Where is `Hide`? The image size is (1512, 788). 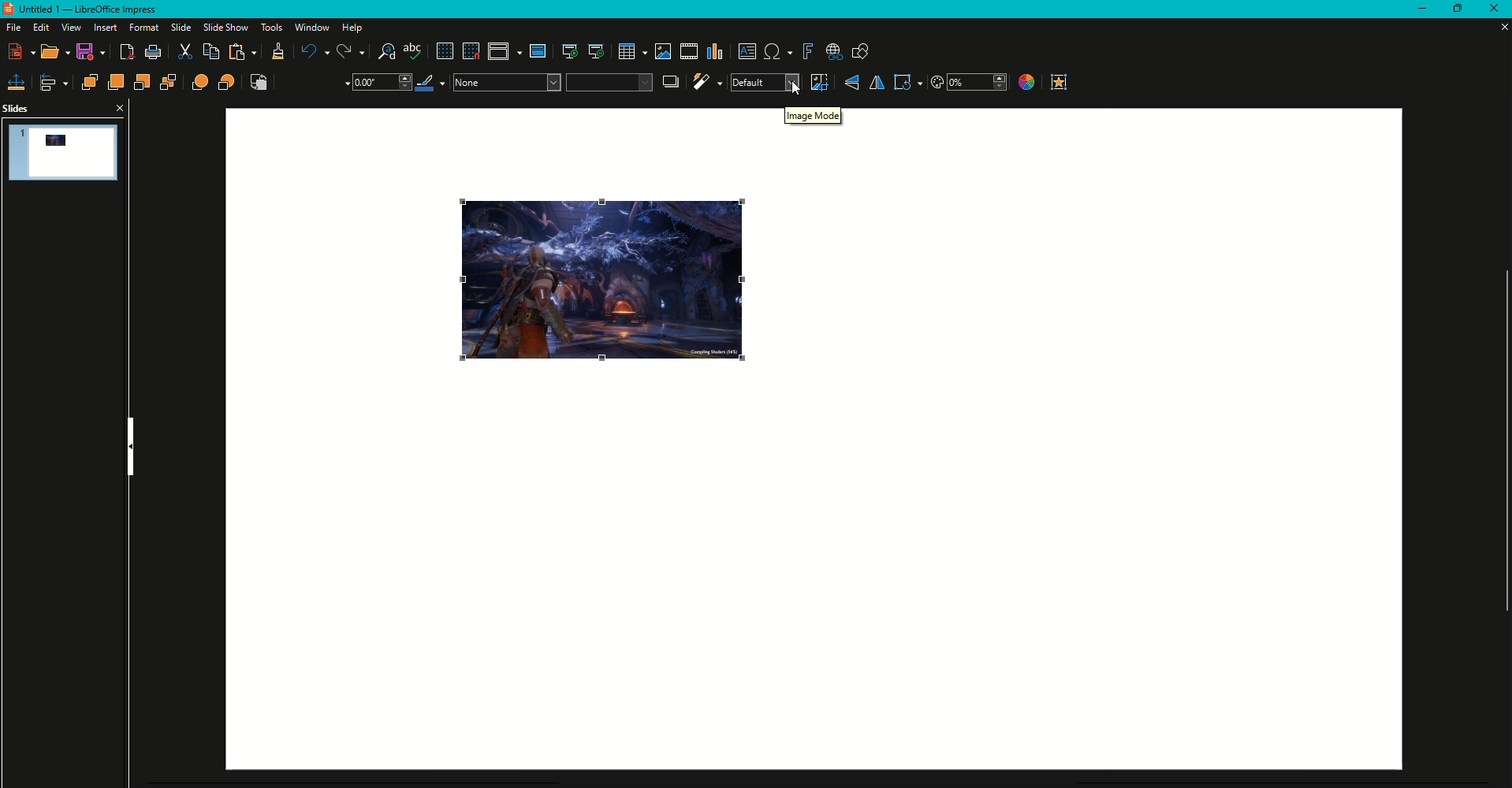 Hide is located at coordinates (131, 447).